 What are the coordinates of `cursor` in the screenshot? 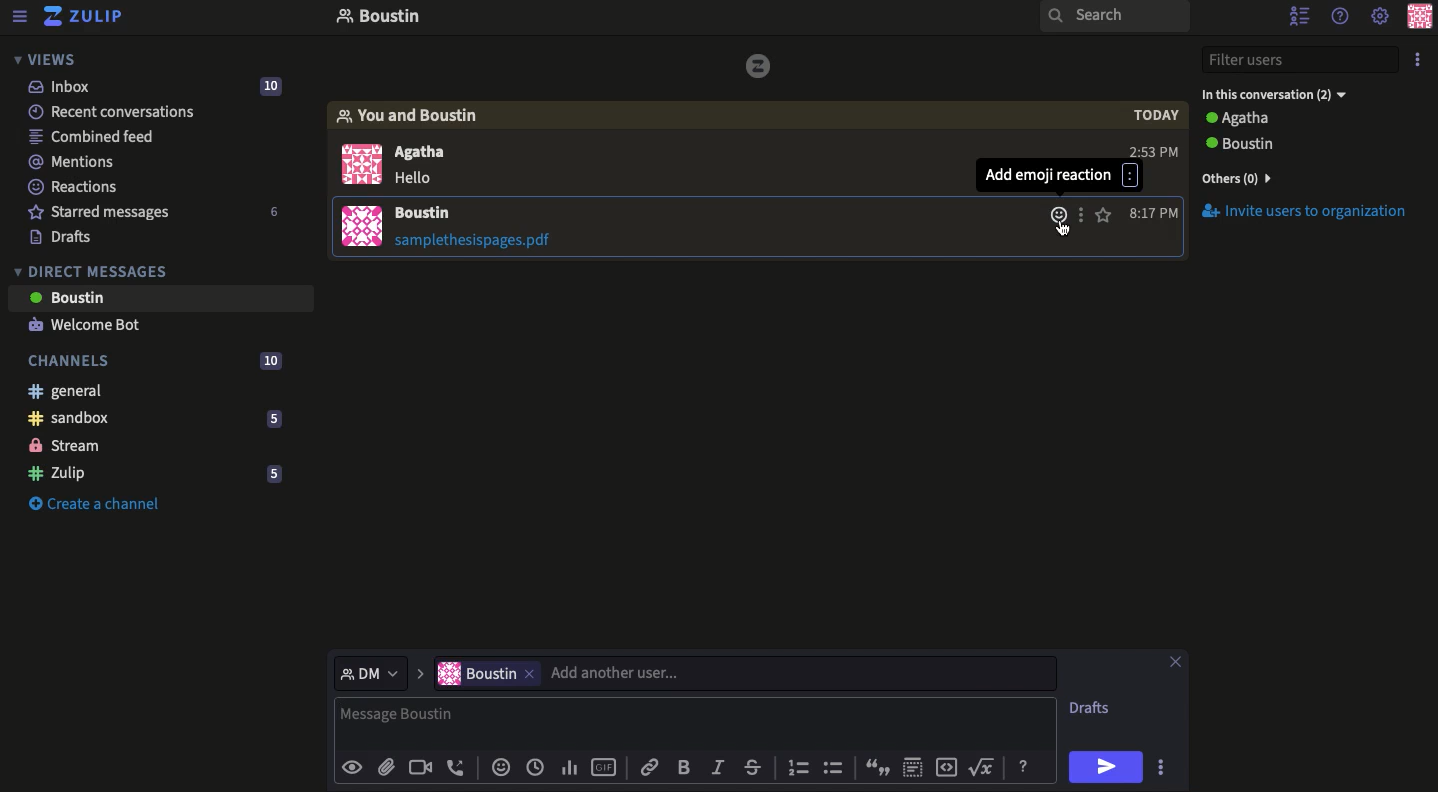 It's located at (1063, 229).